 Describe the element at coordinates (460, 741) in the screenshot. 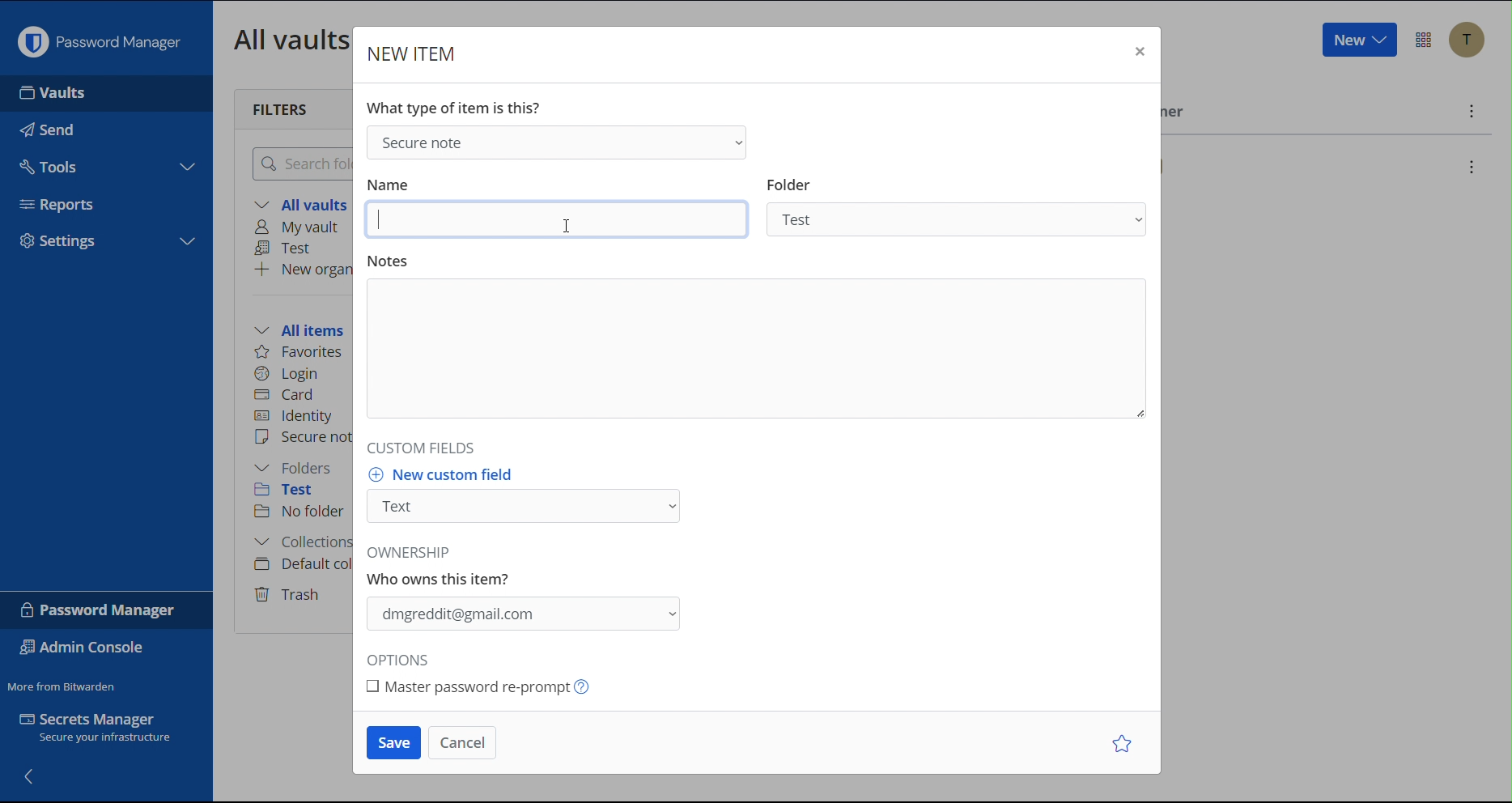

I see `Cancel` at that location.